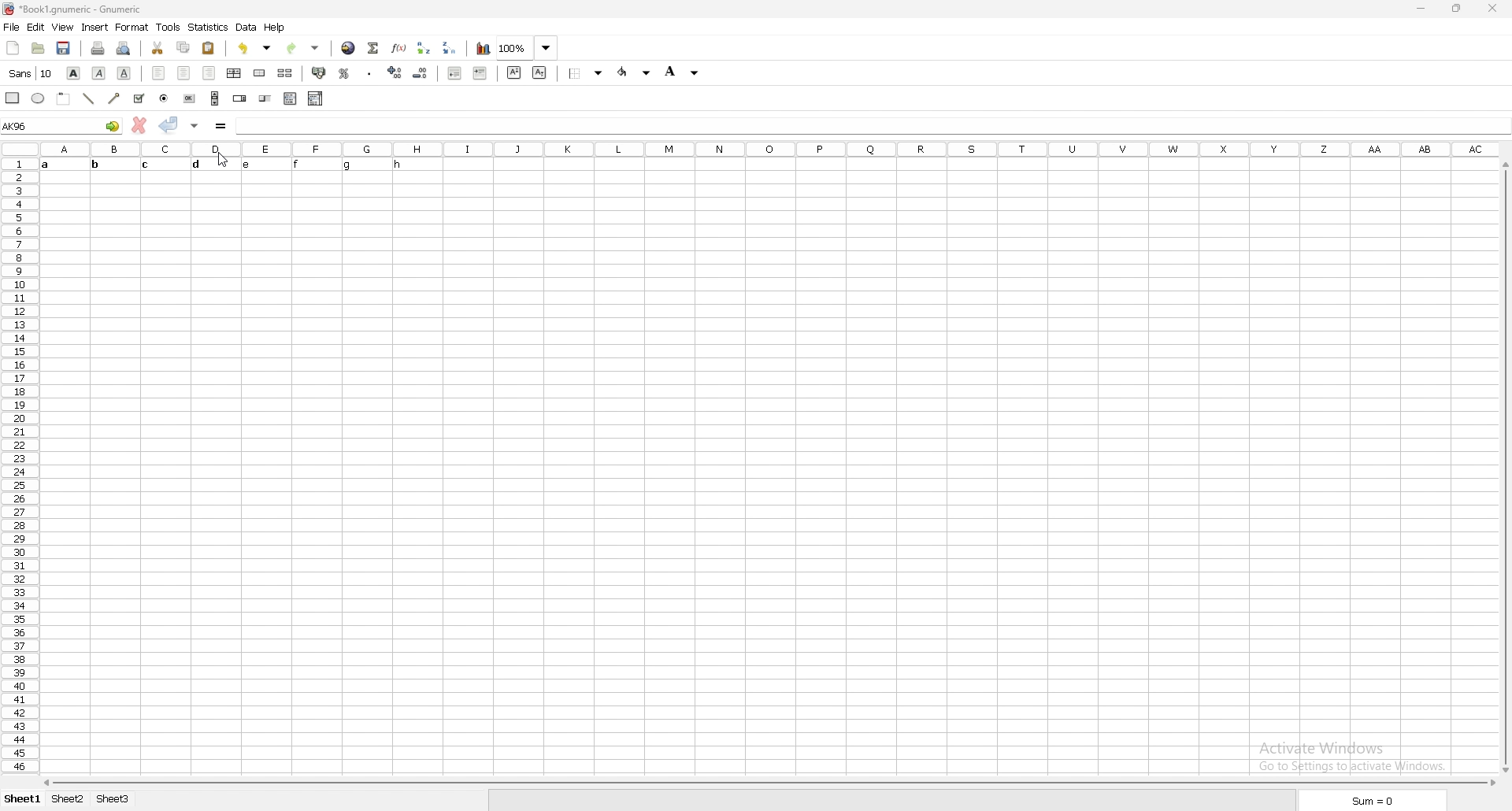 This screenshot has height=811, width=1512. Describe the element at coordinates (38, 48) in the screenshot. I see `open` at that location.